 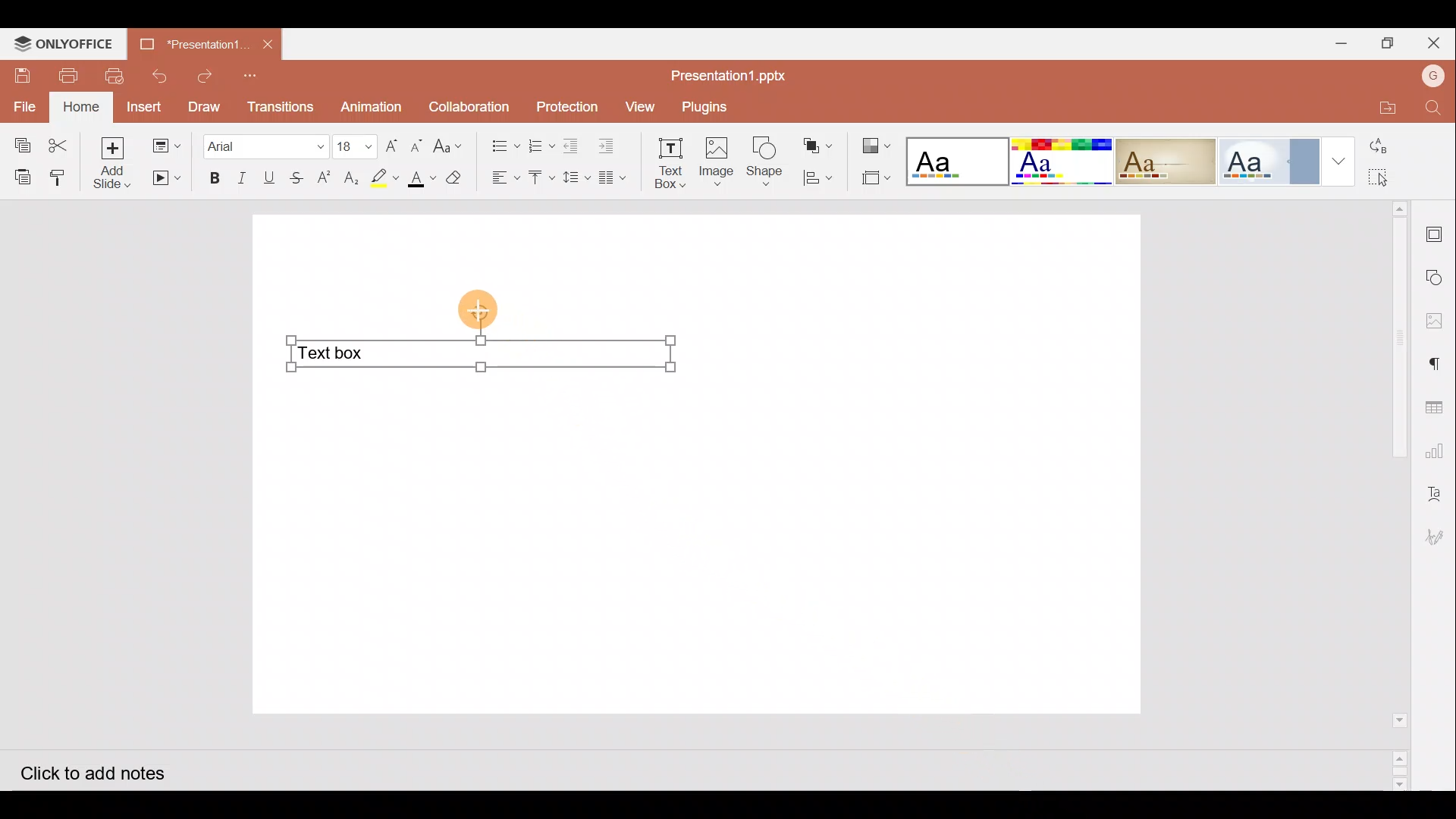 What do you see at coordinates (144, 107) in the screenshot?
I see `Insert` at bounding box center [144, 107].